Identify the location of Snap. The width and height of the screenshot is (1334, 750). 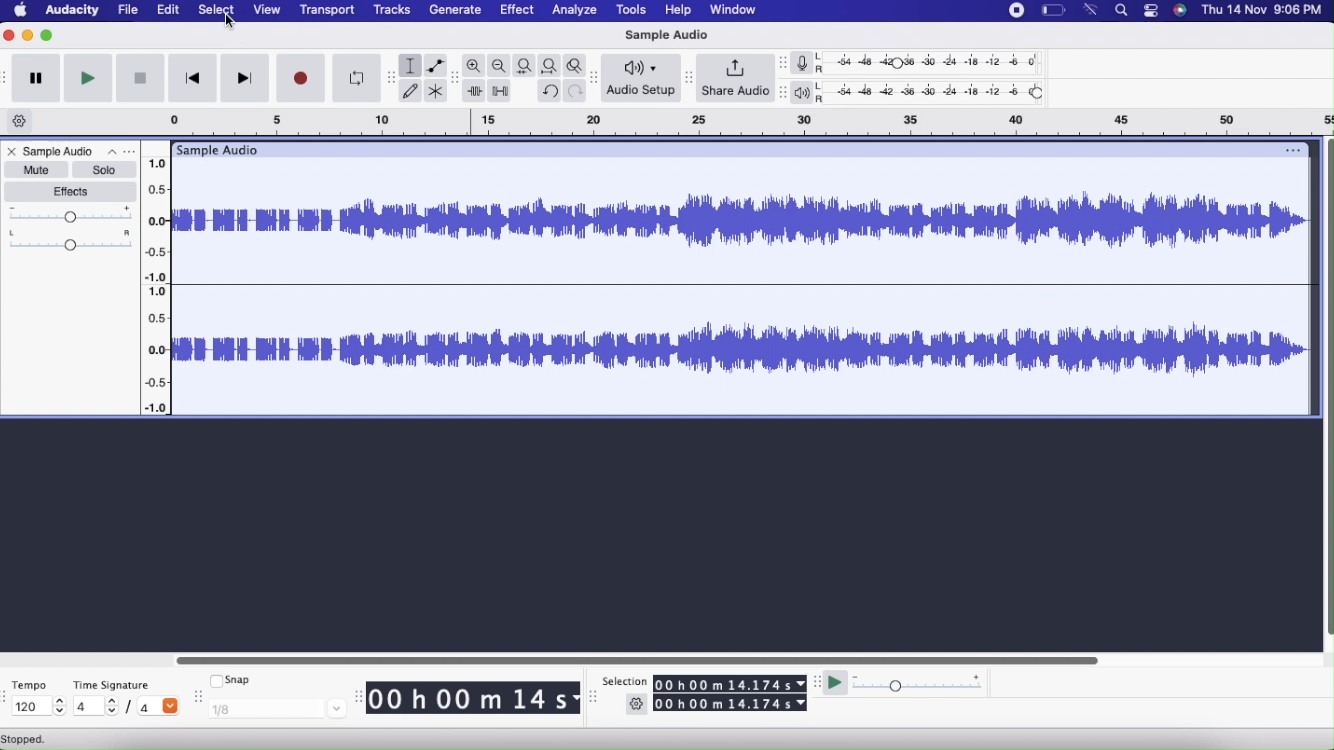
(234, 680).